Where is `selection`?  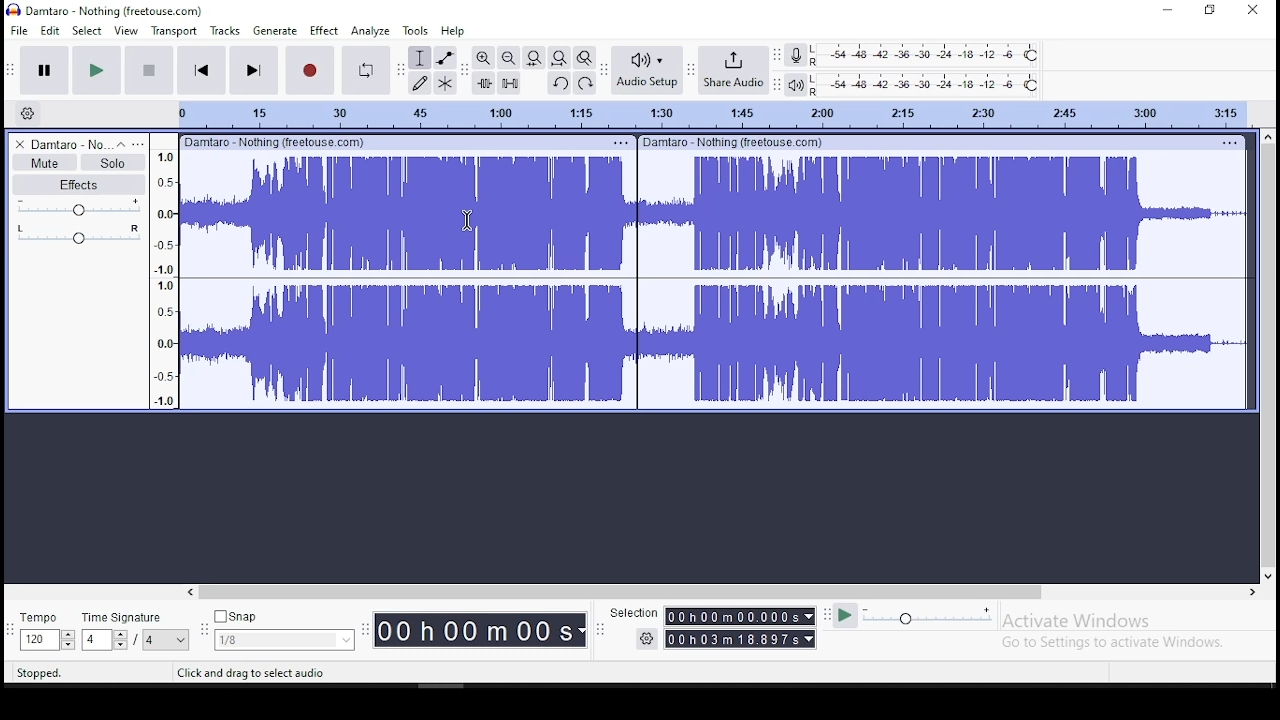 selection is located at coordinates (633, 613).